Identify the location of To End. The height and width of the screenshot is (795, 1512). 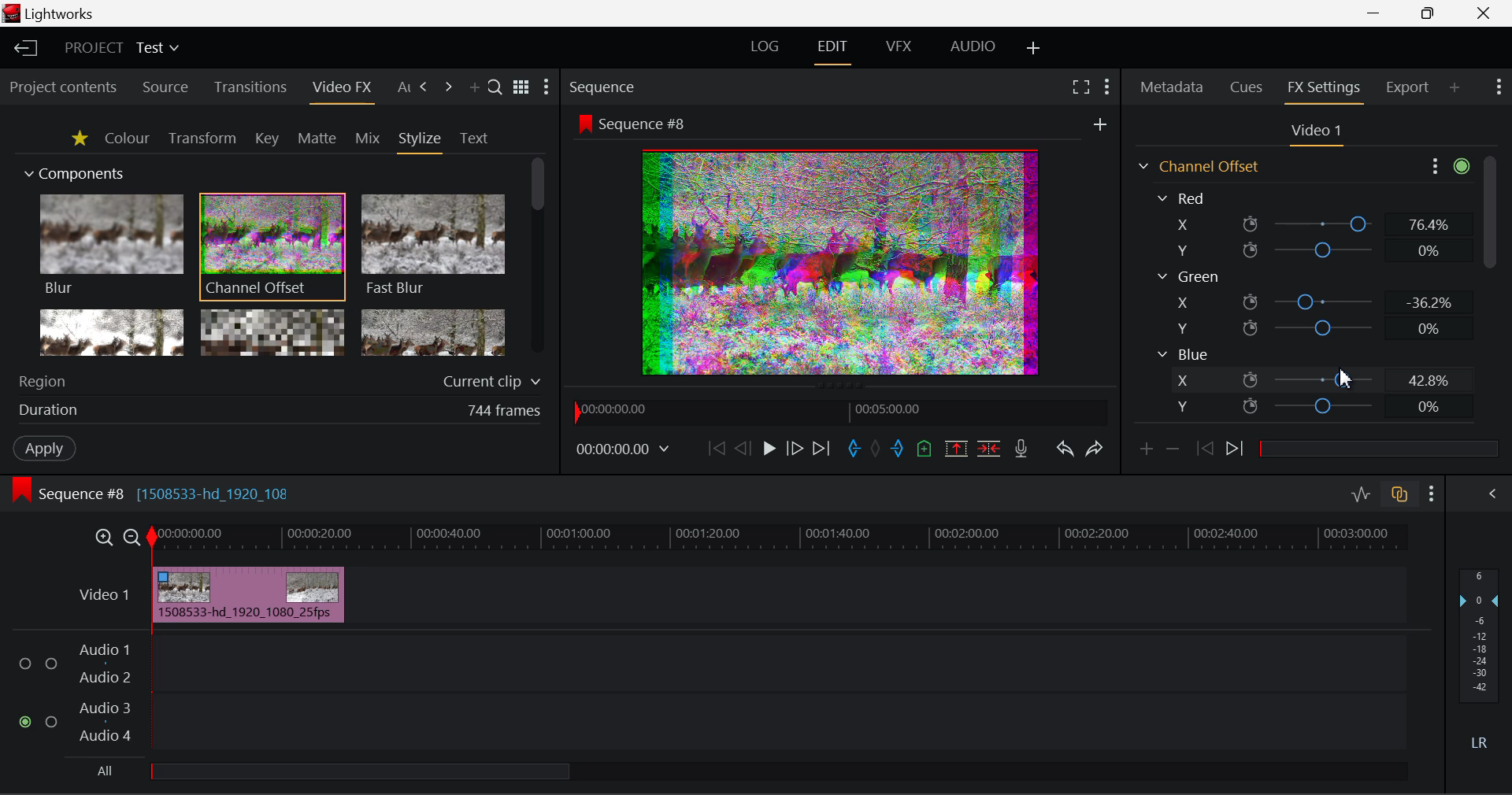
(825, 449).